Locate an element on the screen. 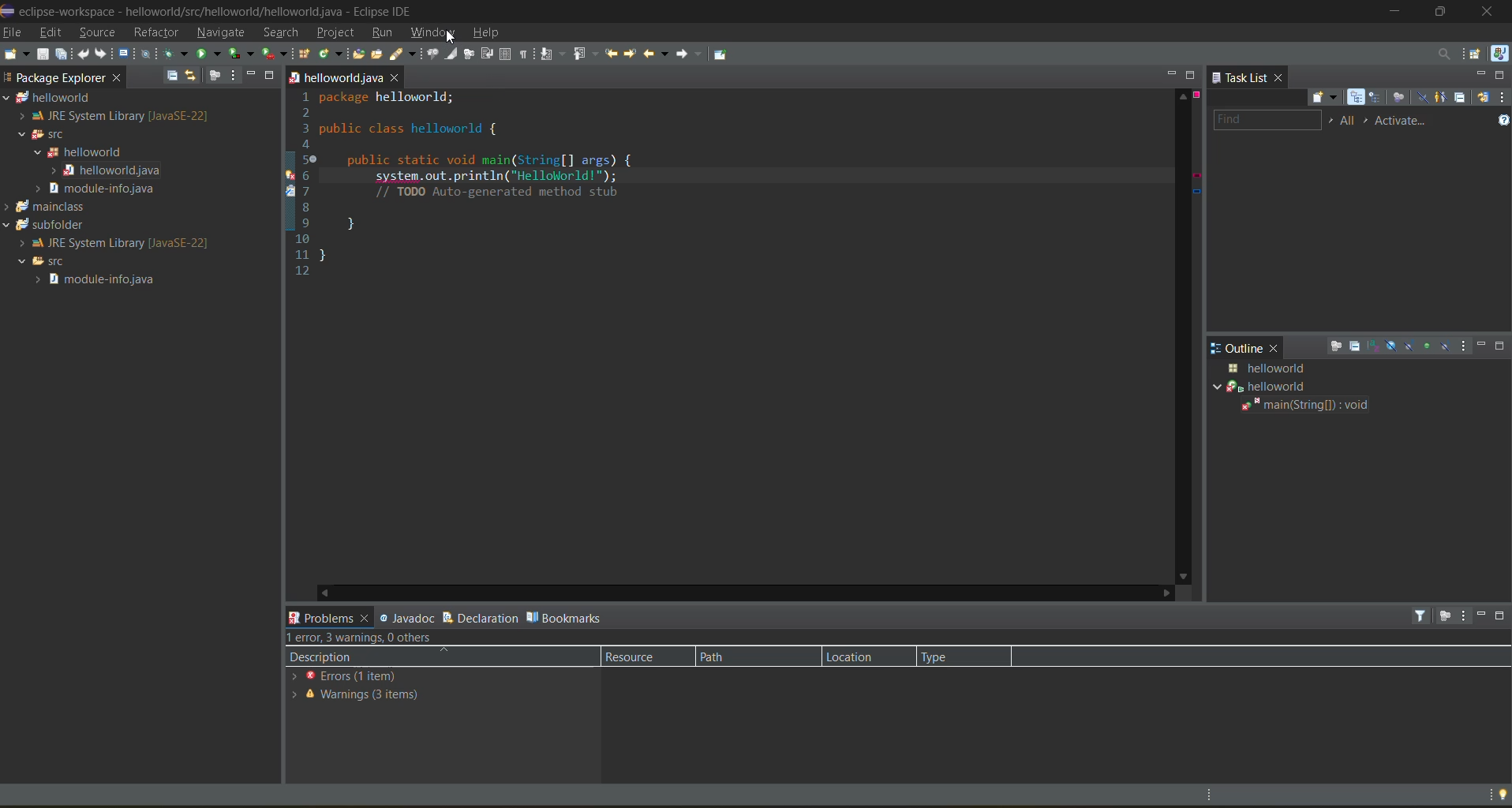 This screenshot has width=1512, height=808. new is located at coordinates (21, 55).